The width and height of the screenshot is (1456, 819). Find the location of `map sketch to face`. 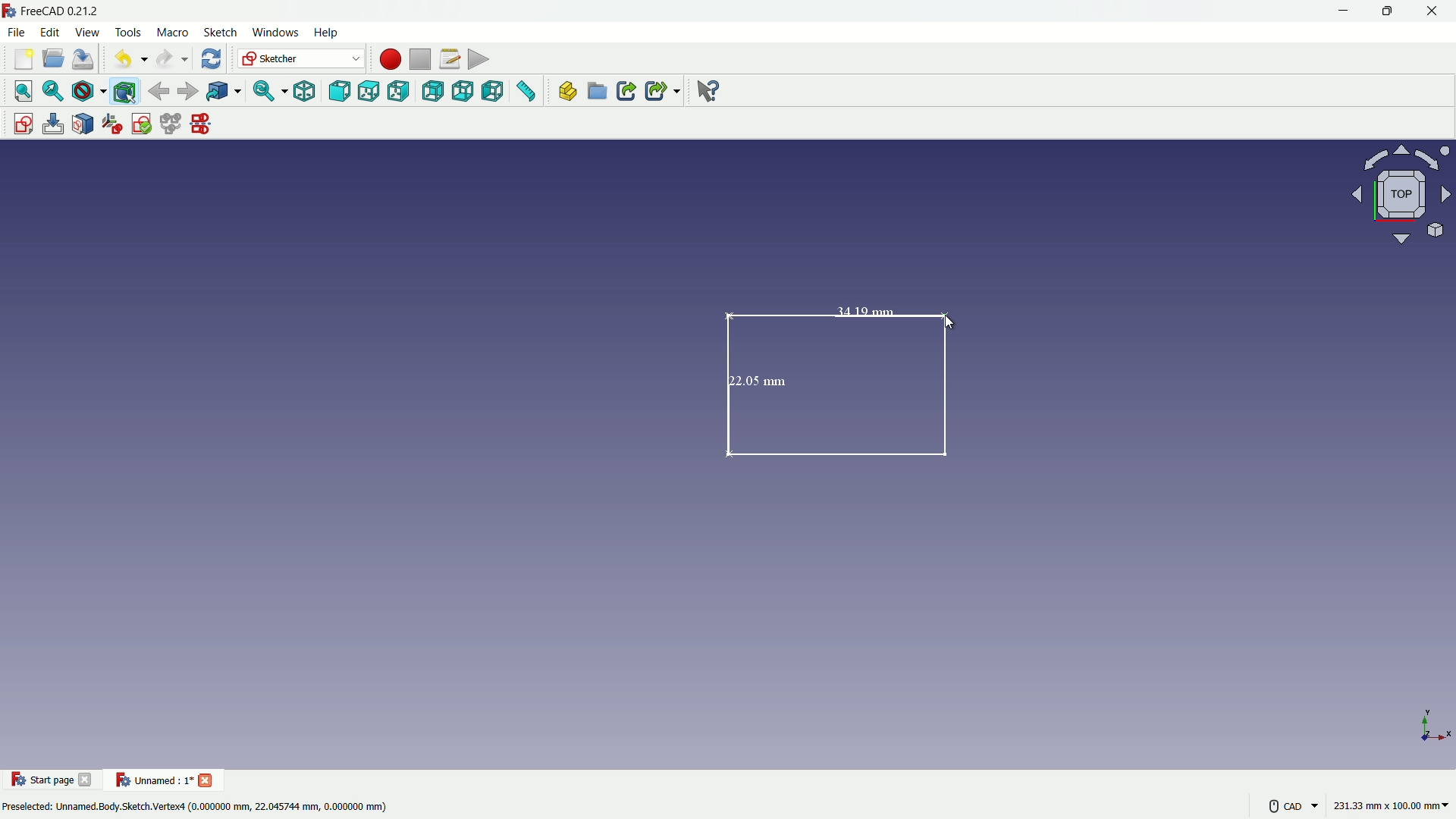

map sketch to face is located at coordinates (83, 124).